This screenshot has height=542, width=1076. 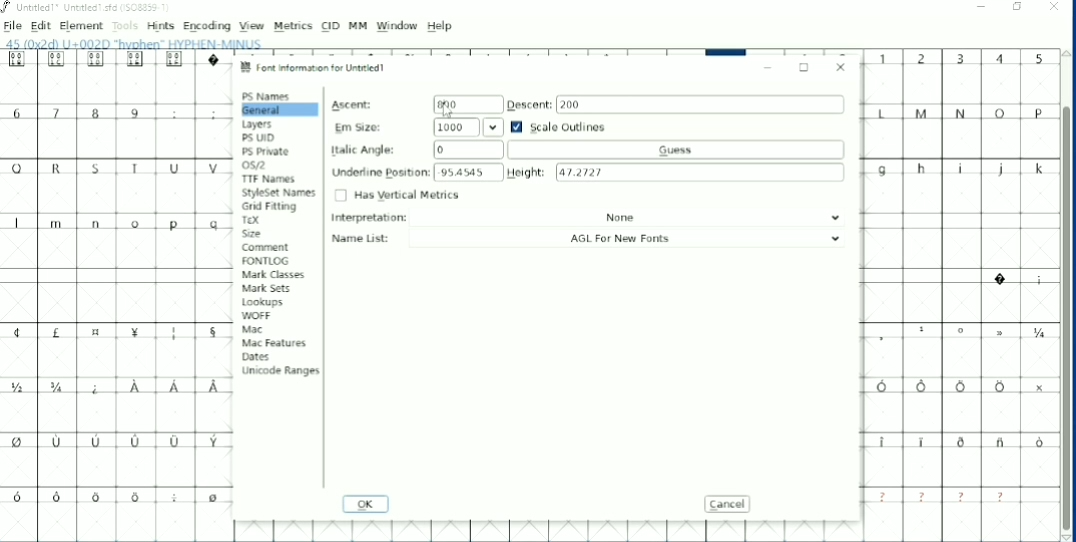 What do you see at coordinates (1054, 9) in the screenshot?
I see `Close` at bounding box center [1054, 9].